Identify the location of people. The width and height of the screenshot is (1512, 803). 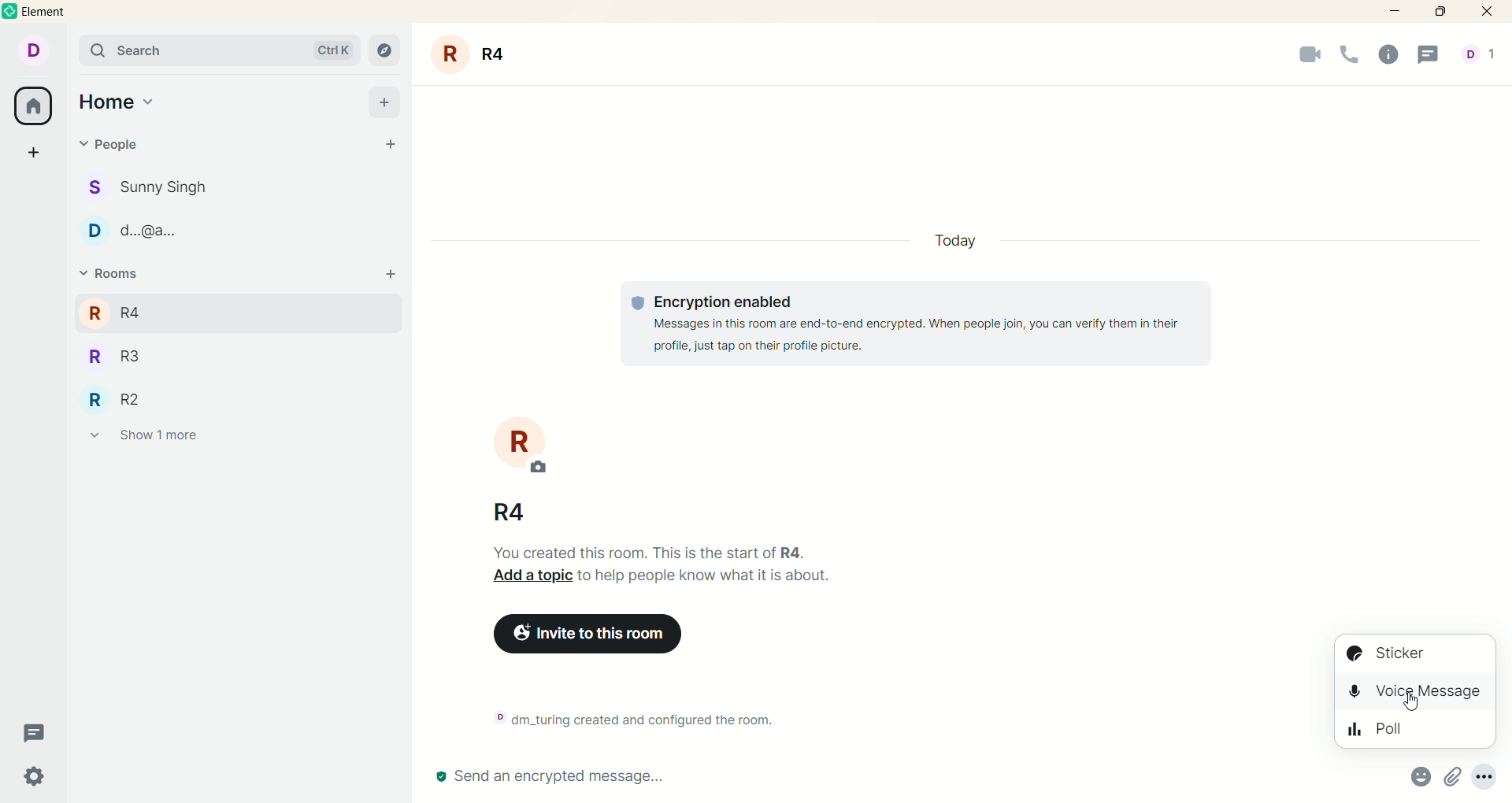
(115, 144).